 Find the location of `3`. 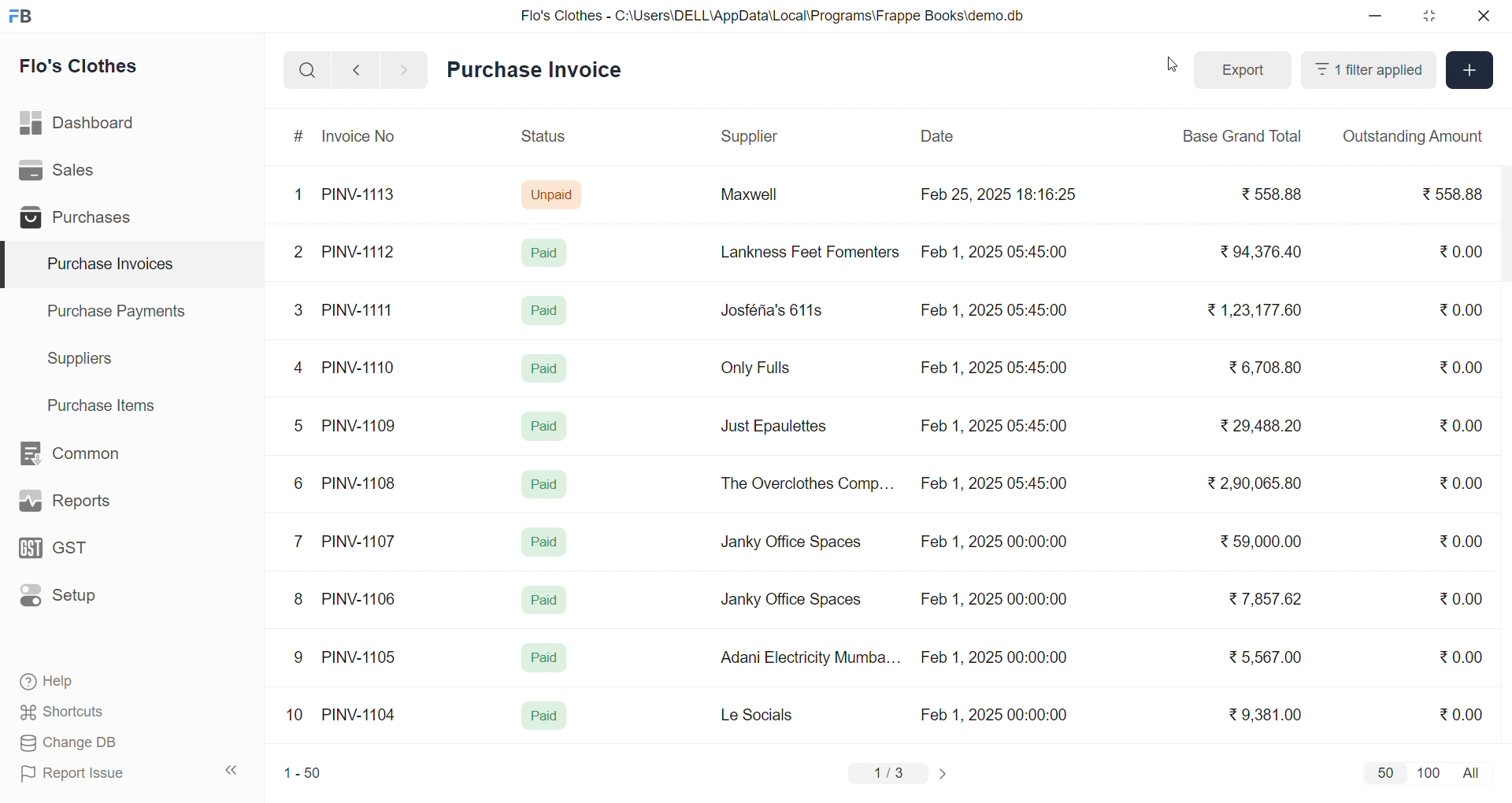

3 is located at coordinates (298, 309).